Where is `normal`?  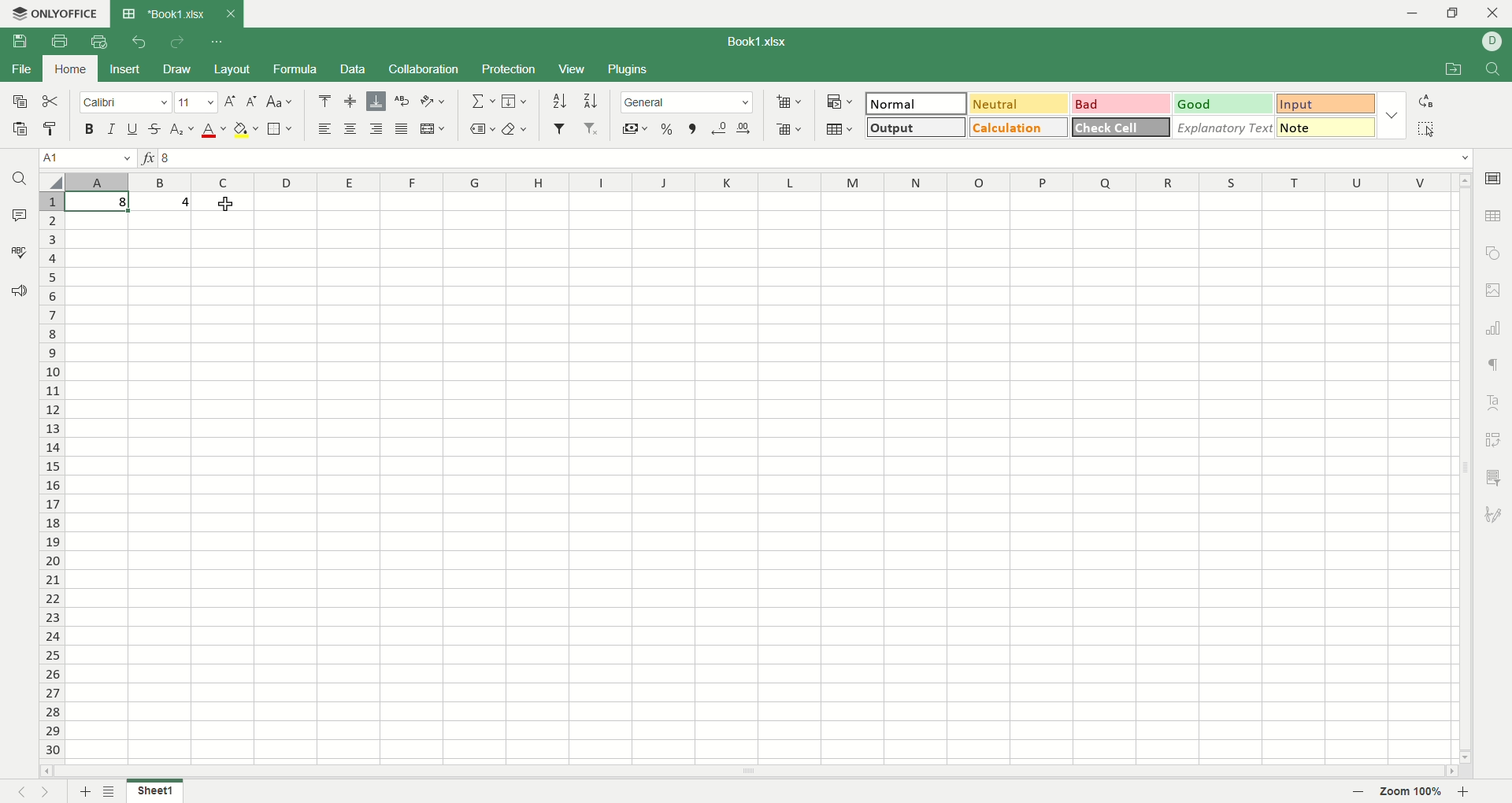 normal is located at coordinates (917, 103).